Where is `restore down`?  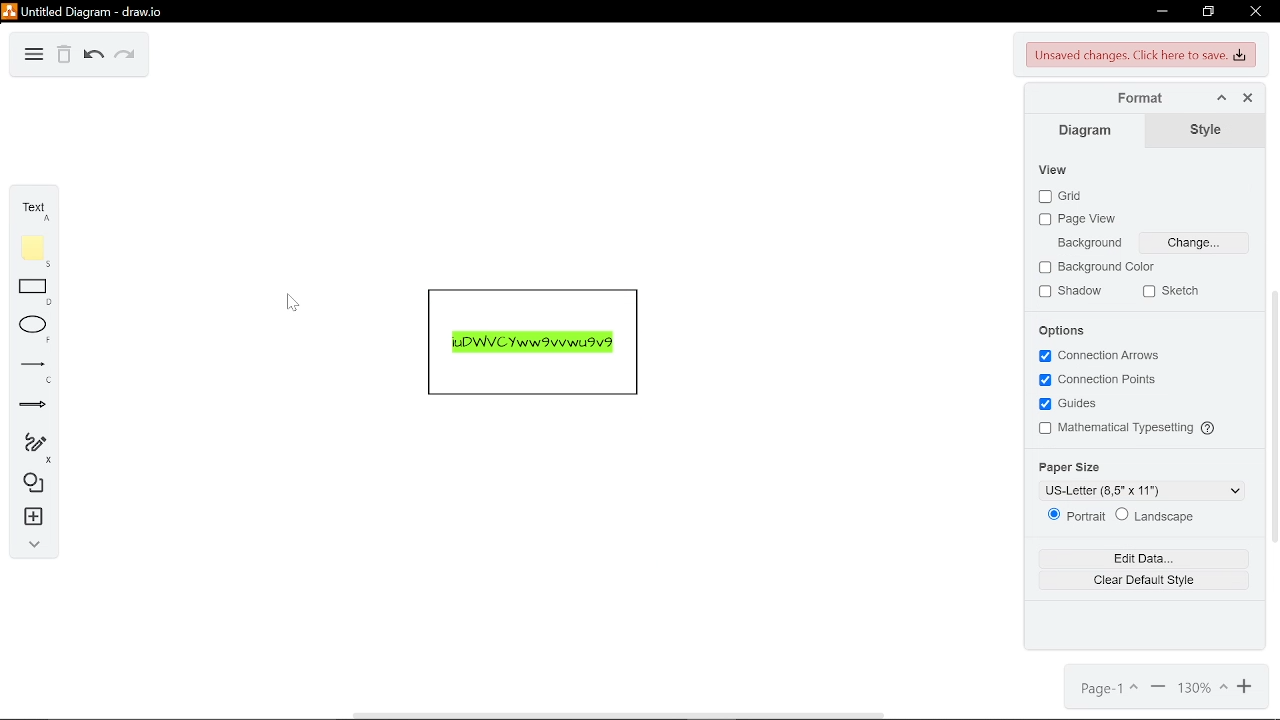
restore down is located at coordinates (1208, 13).